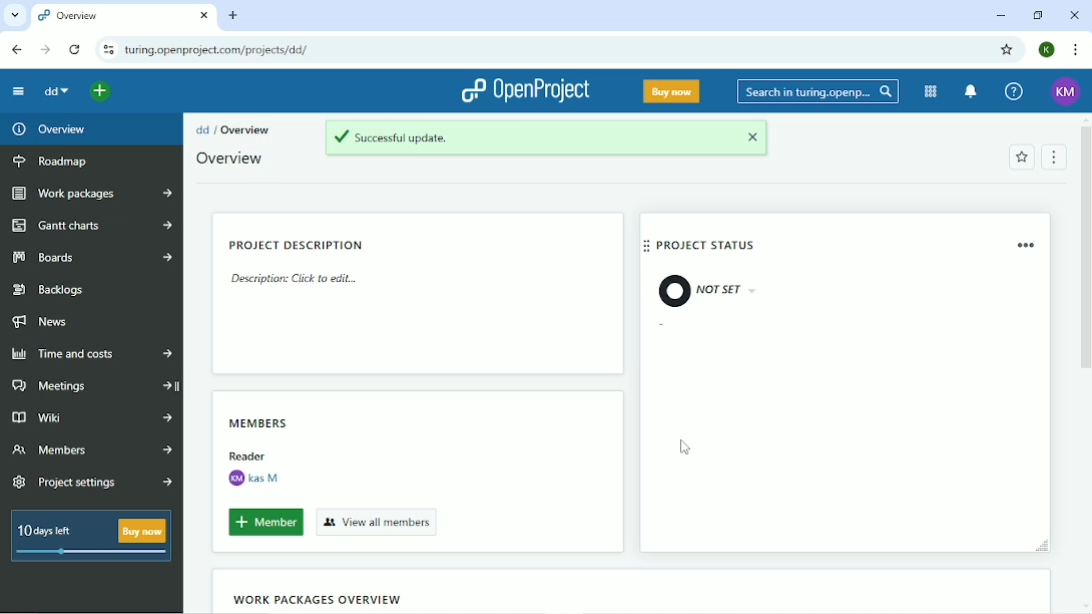 The width and height of the screenshot is (1092, 614). Describe the element at coordinates (317, 599) in the screenshot. I see `Work packages overview` at that location.